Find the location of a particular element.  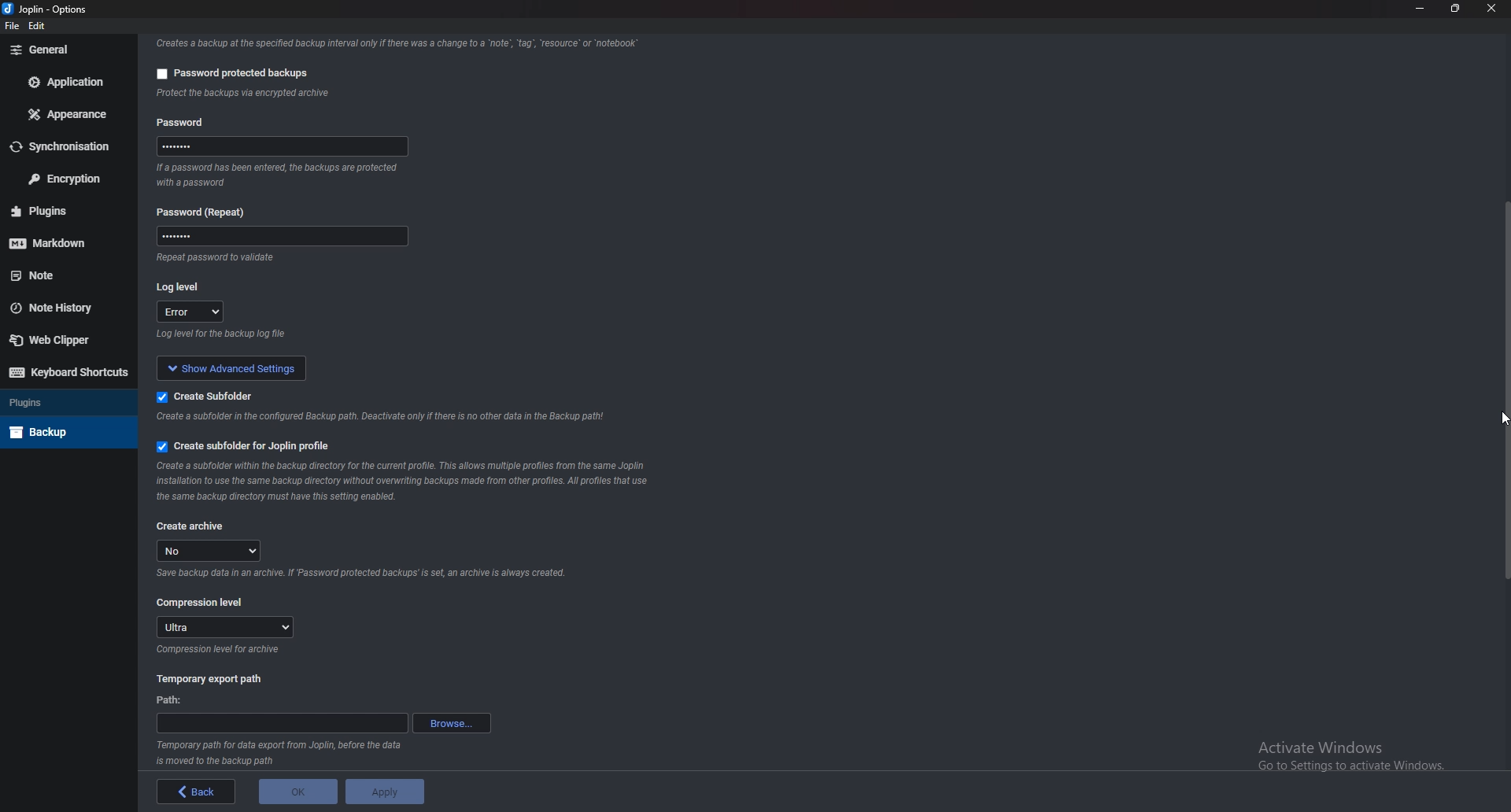

Appearance is located at coordinates (68, 116).